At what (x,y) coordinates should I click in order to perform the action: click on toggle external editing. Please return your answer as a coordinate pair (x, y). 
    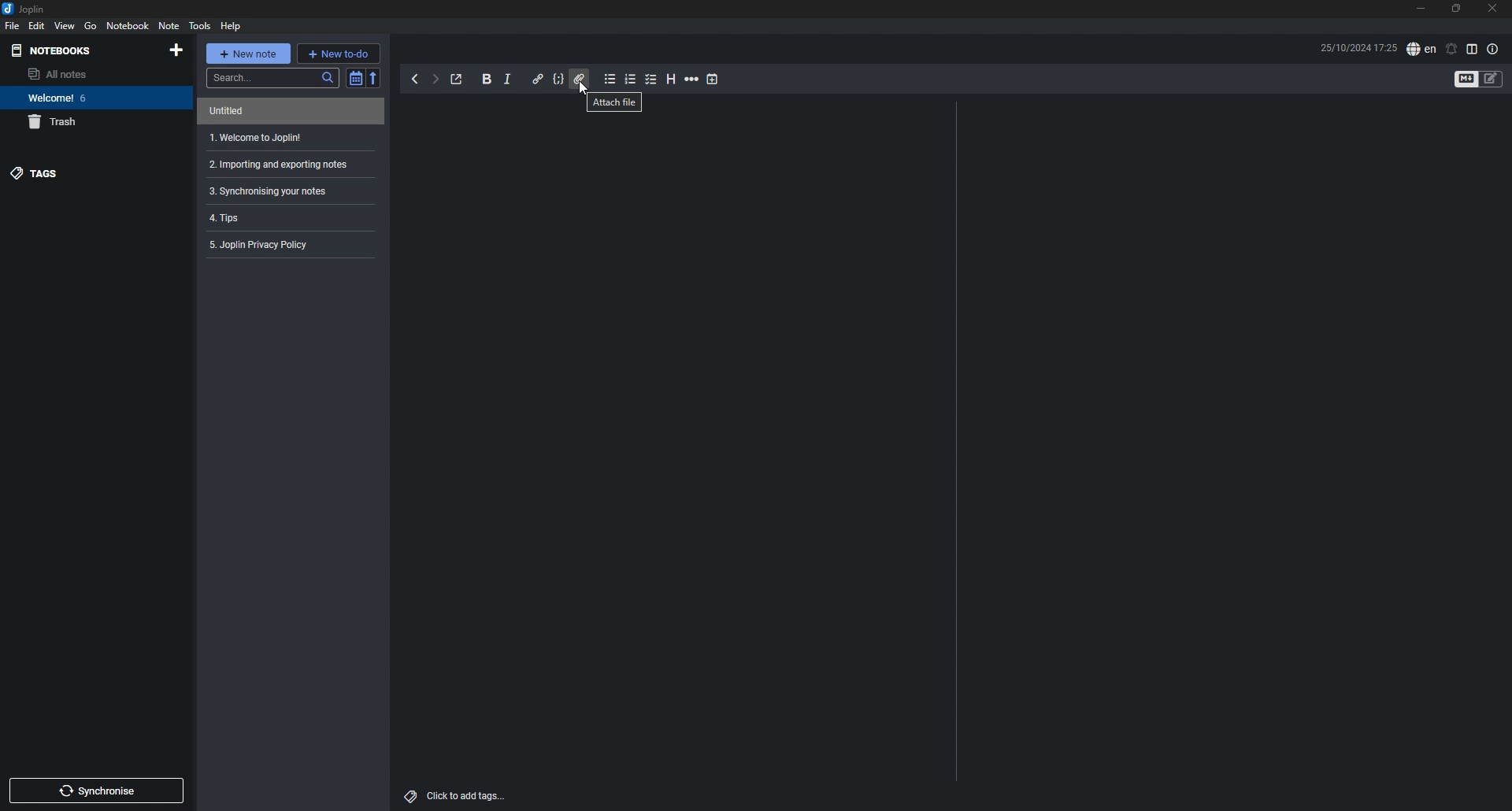
    Looking at the image, I should click on (457, 80).